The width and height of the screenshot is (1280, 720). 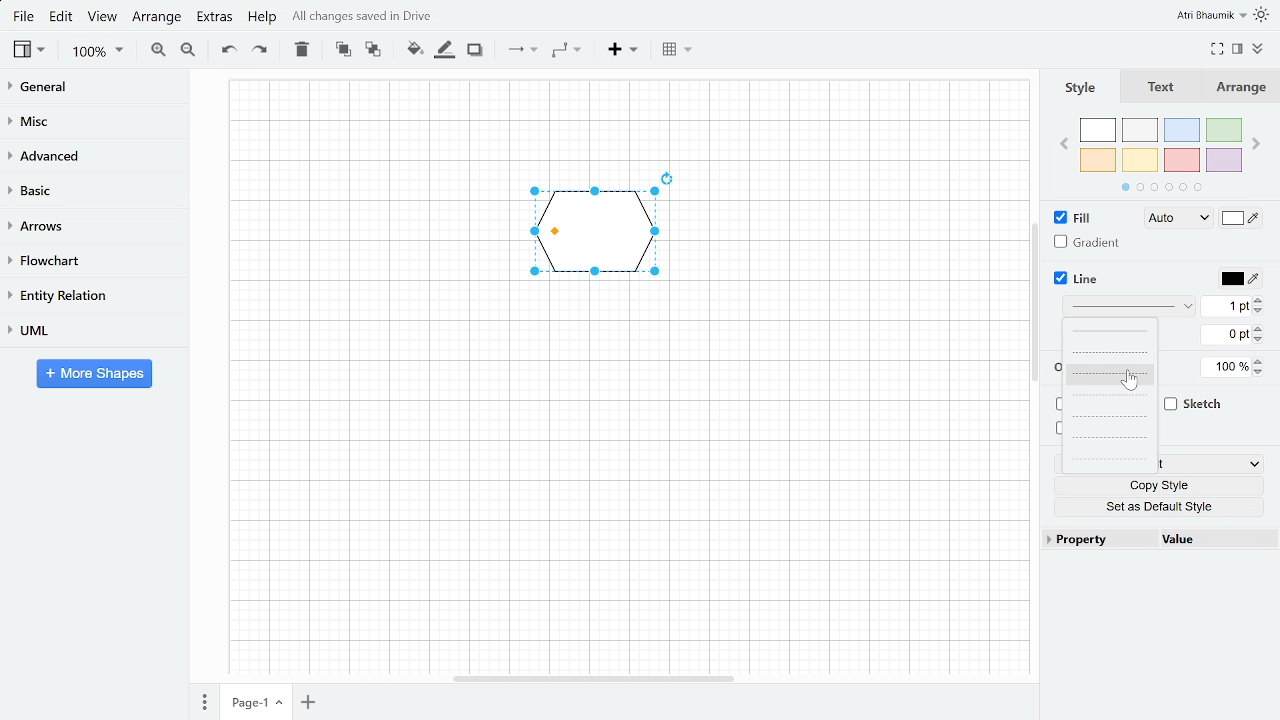 What do you see at coordinates (1225, 335) in the screenshot?
I see `Current line perimeter` at bounding box center [1225, 335].